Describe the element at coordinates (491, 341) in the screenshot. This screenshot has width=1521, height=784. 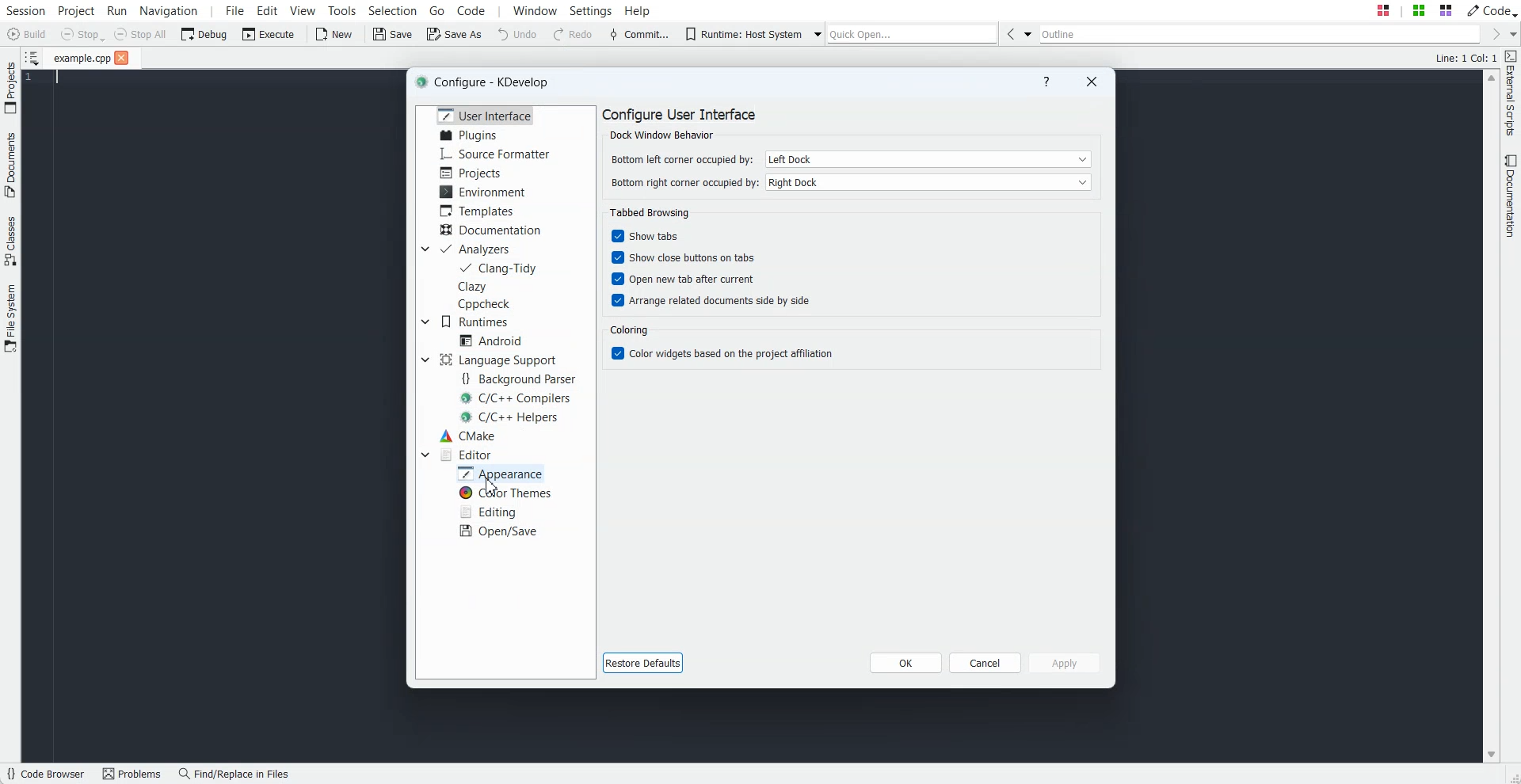
I see `Android` at that location.